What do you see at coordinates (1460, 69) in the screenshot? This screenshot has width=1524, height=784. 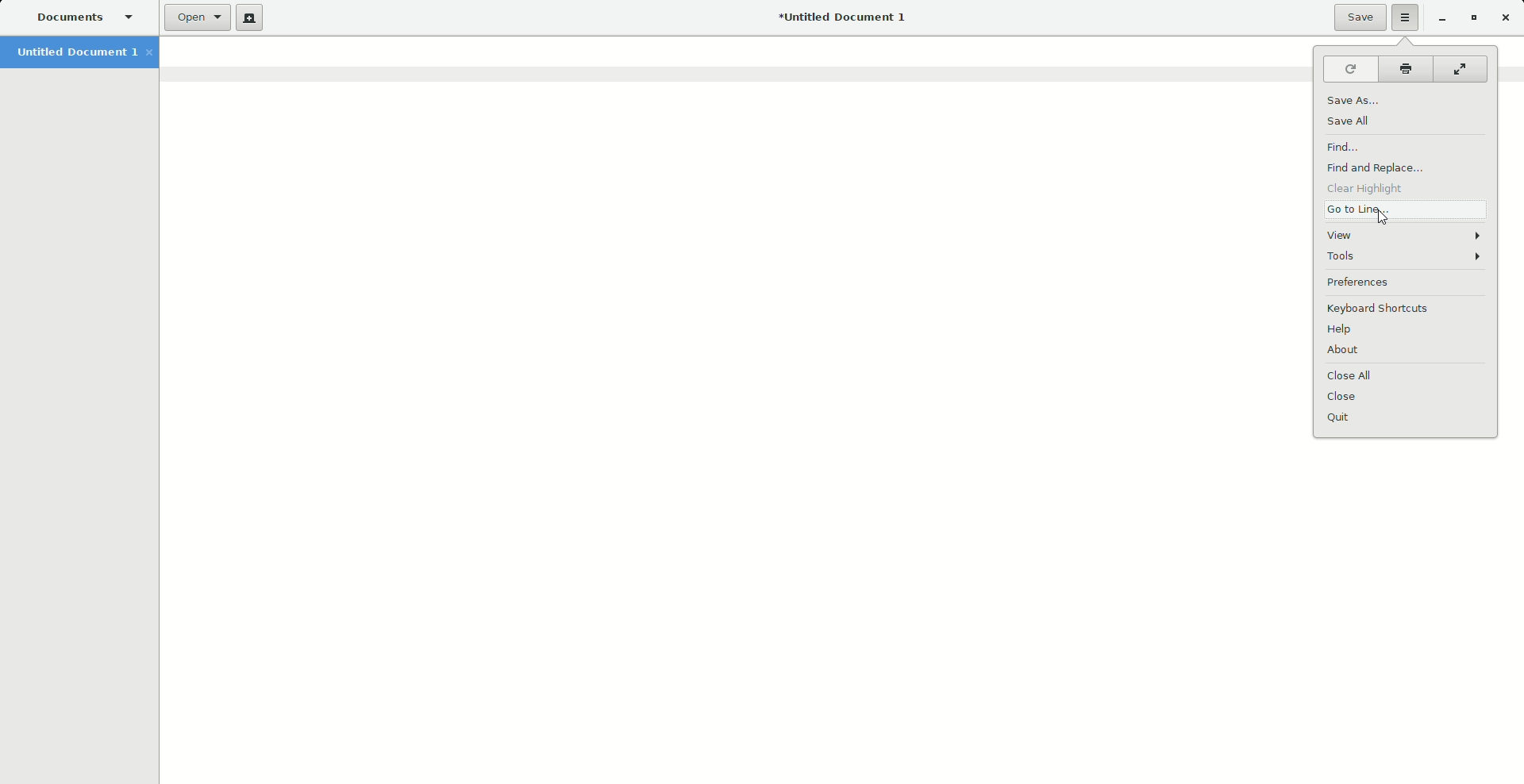 I see `Fullscreen` at bounding box center [1460, 69].